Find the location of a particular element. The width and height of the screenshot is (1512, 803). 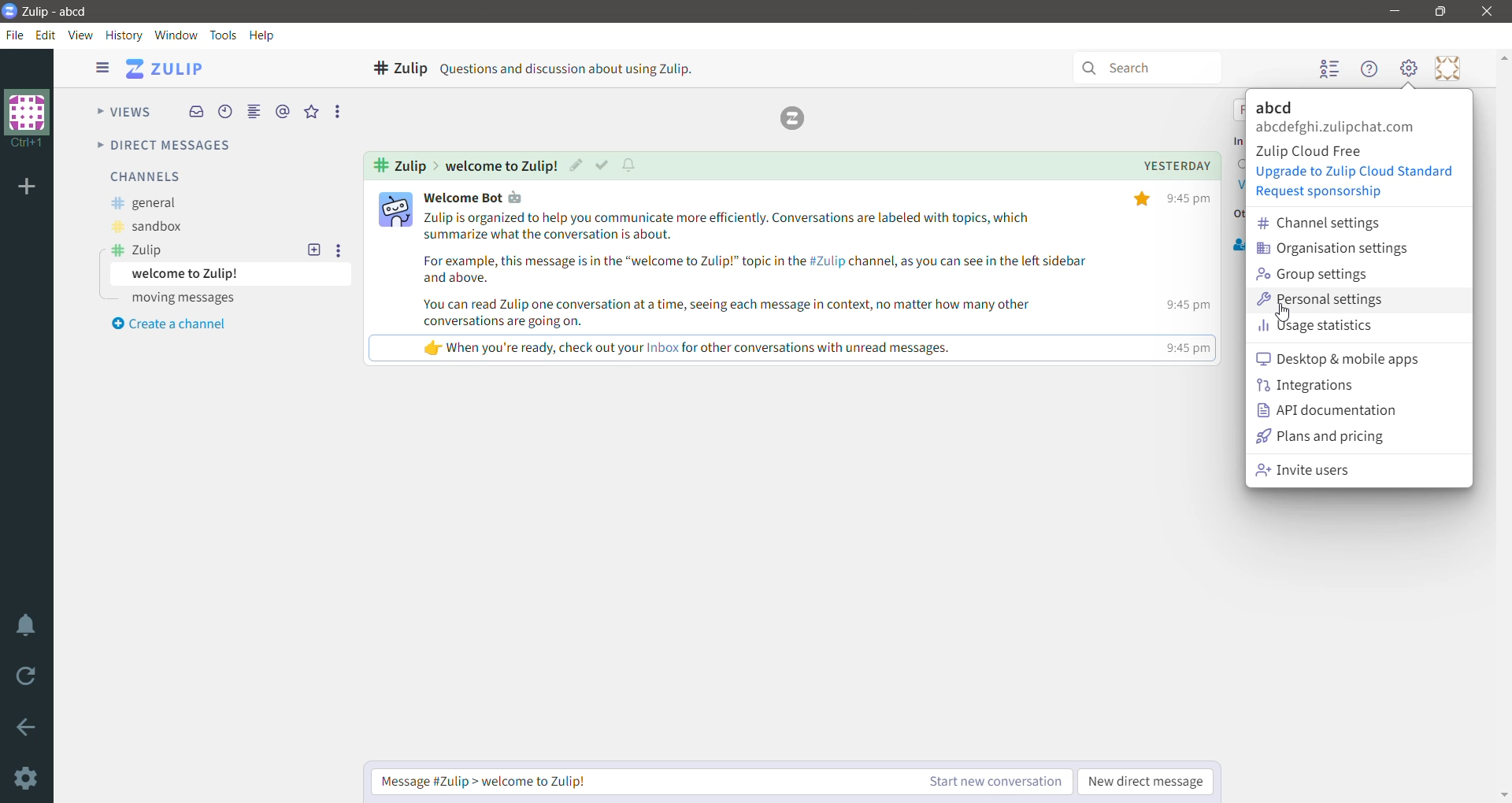

Zulip logo is located at coordinates (792, 117).